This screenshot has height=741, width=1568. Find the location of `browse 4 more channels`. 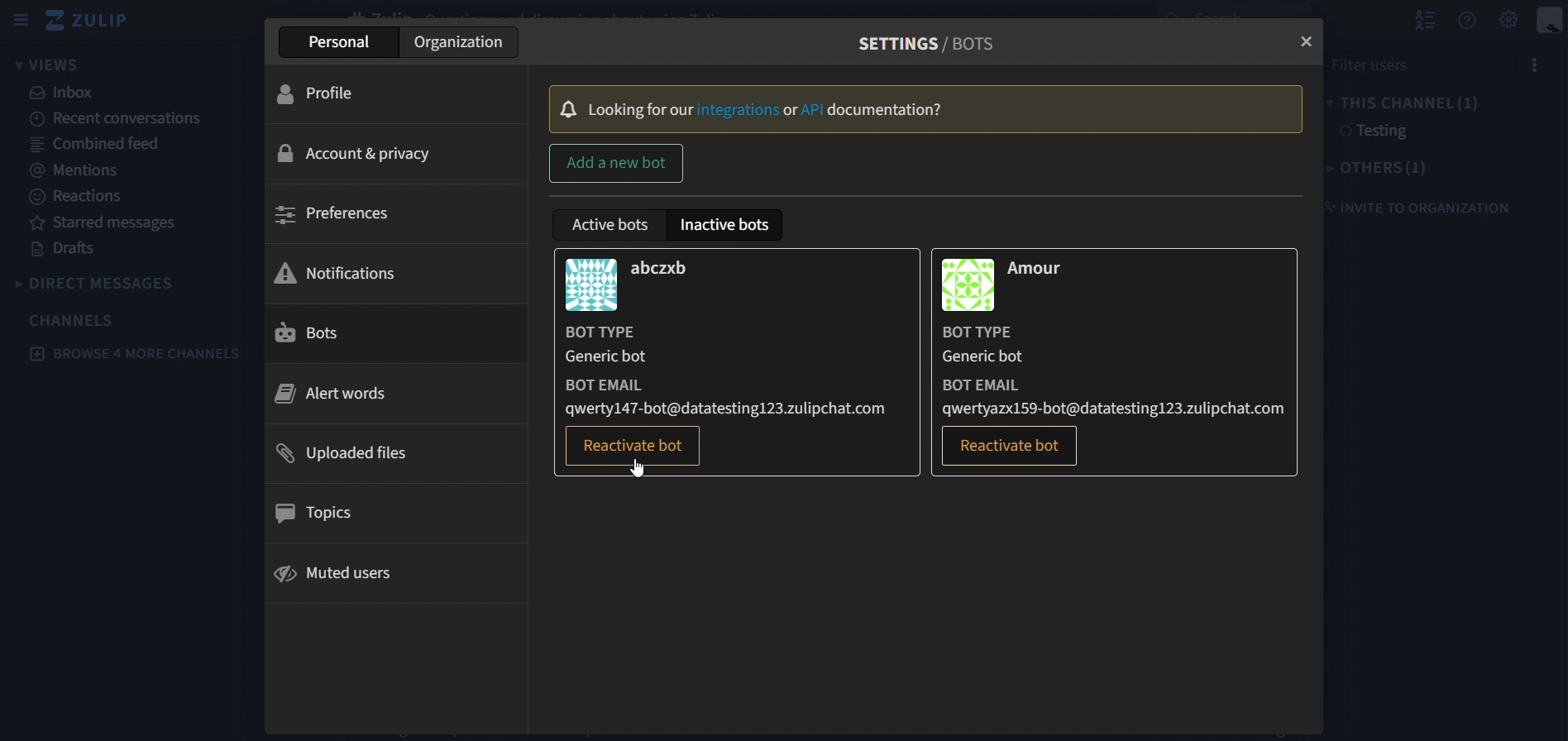

browse 4 more channels is located at coordinates (136, 354).